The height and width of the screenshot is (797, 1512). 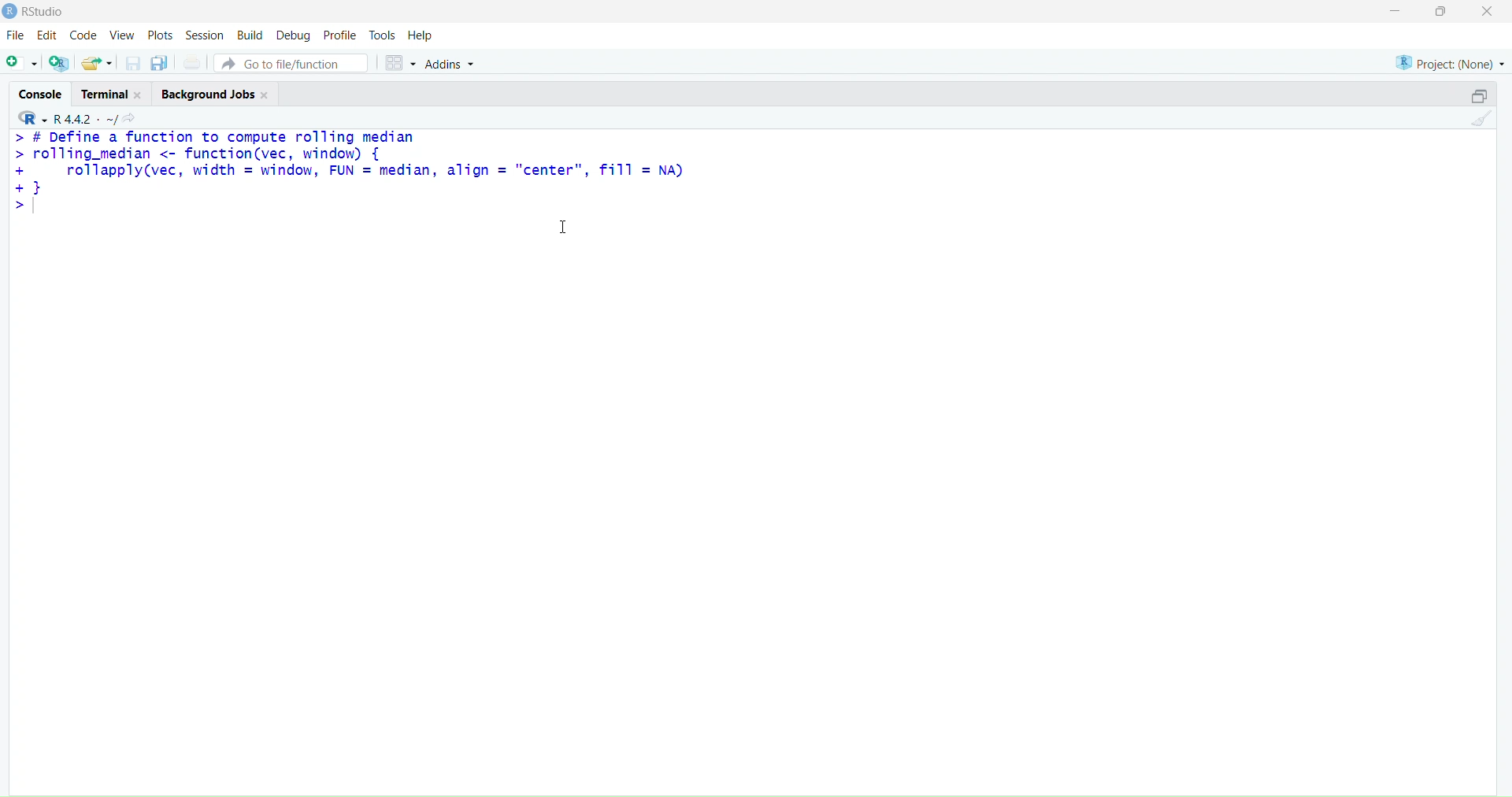 What do you see at coordinates (1395, 9) in the screenshot?
I see `minimise` at bounding box center [1395, 9].